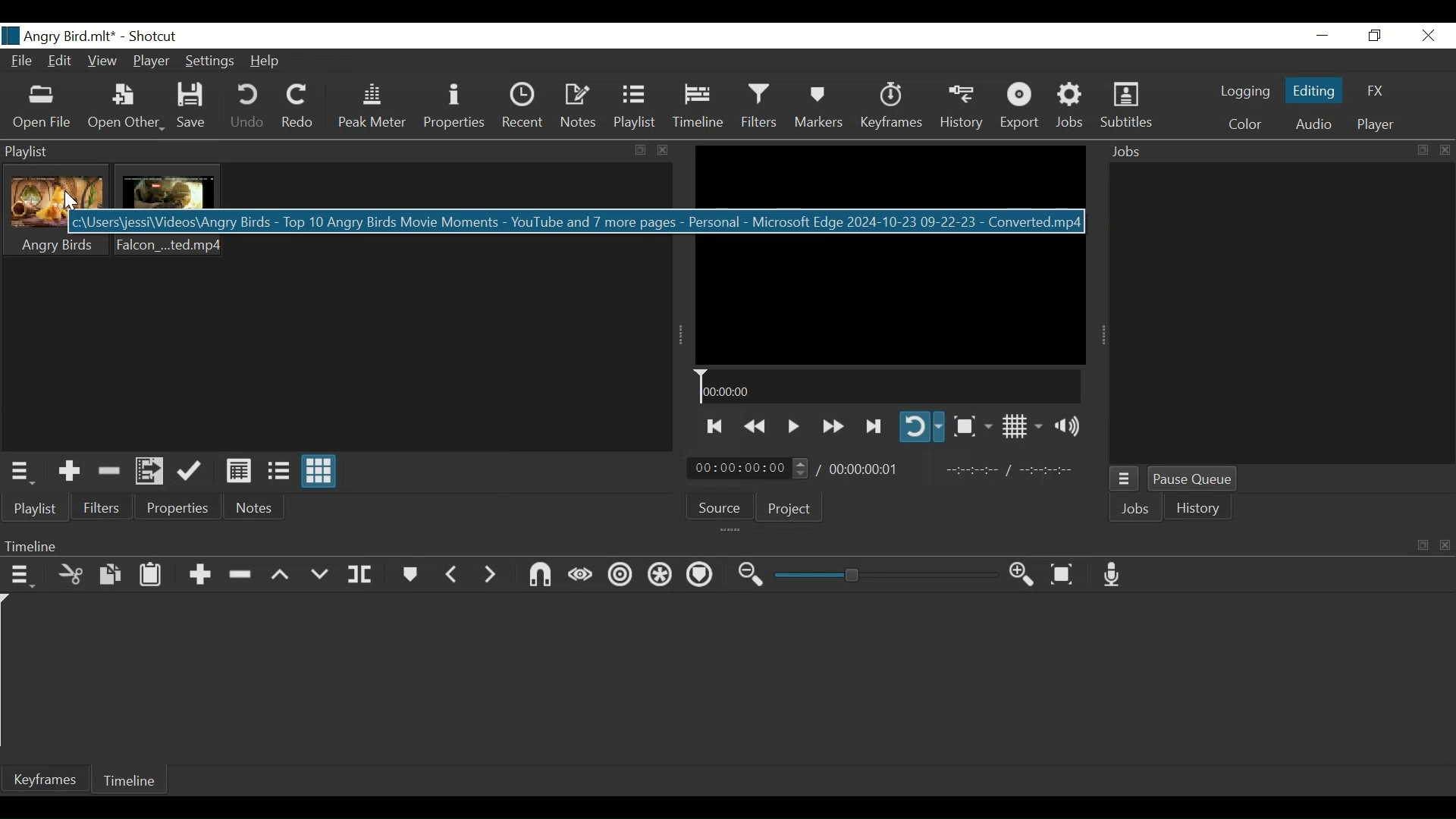 This screenshot has height=819, width=1456. What do you see at coordinates (256, 510) in the screenshot?
I see `Notes` at bounding box center [256, 510].